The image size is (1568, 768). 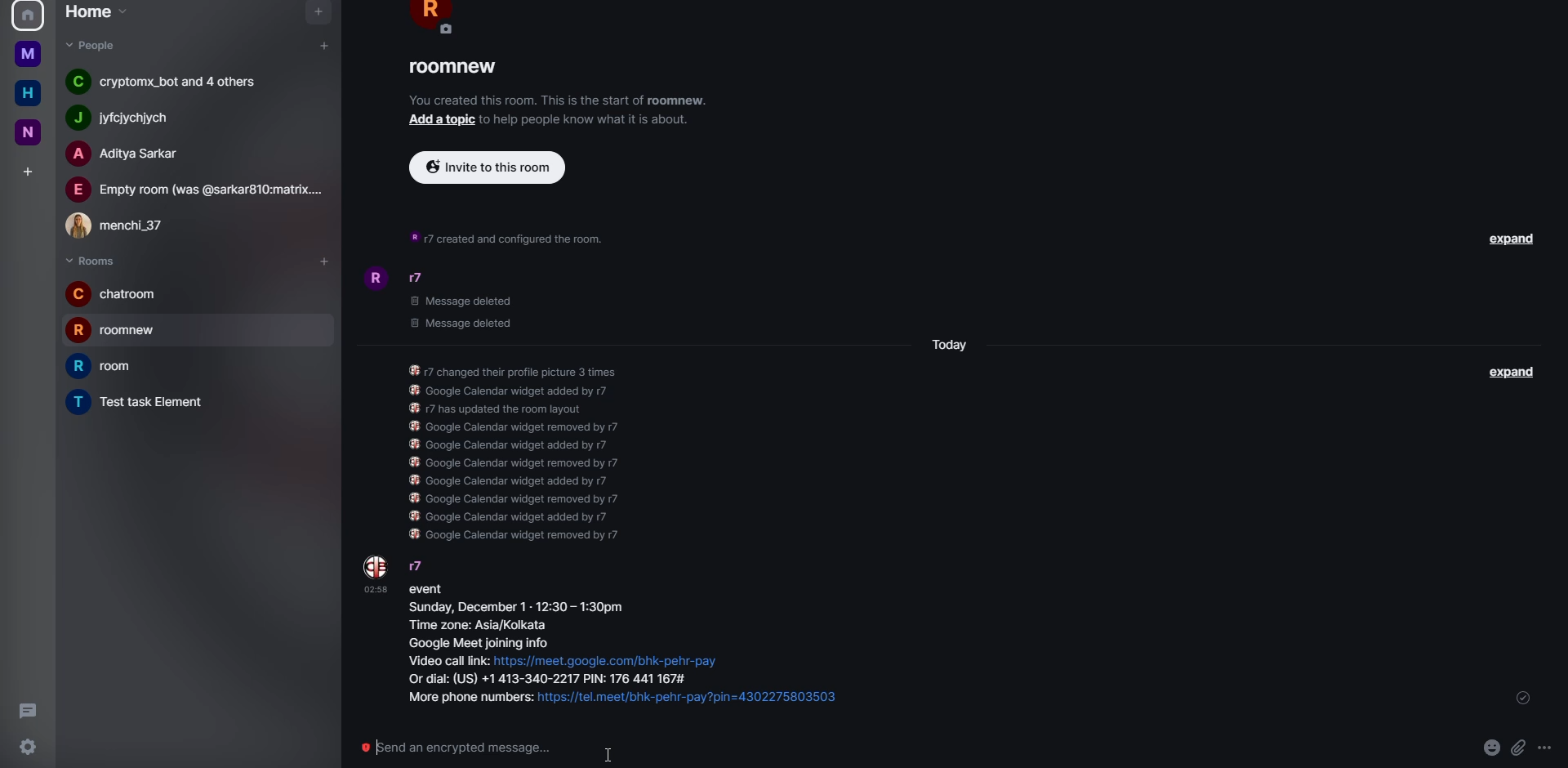 What do you see at coordinates (29, 52) in the screenshot?
I see `home` at bounding box center [29, 52].